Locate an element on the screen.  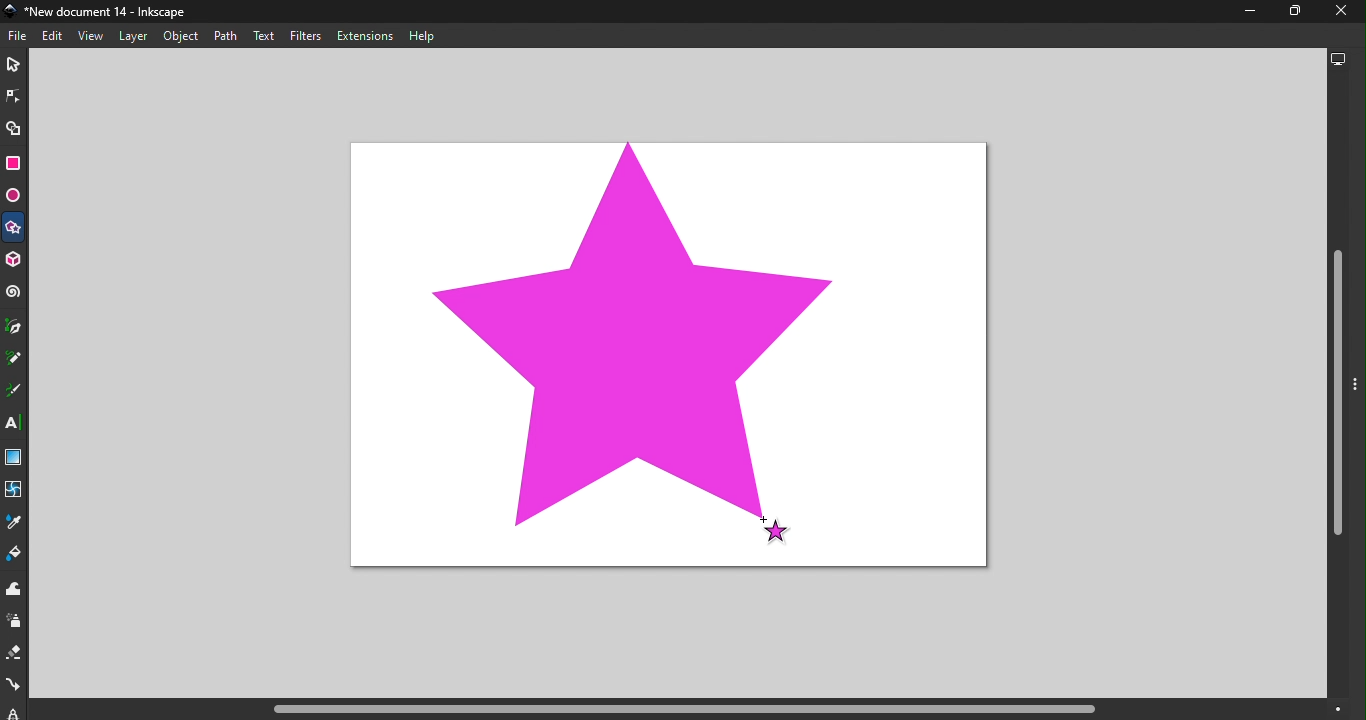
lpe is located at coordinates (9, 711).